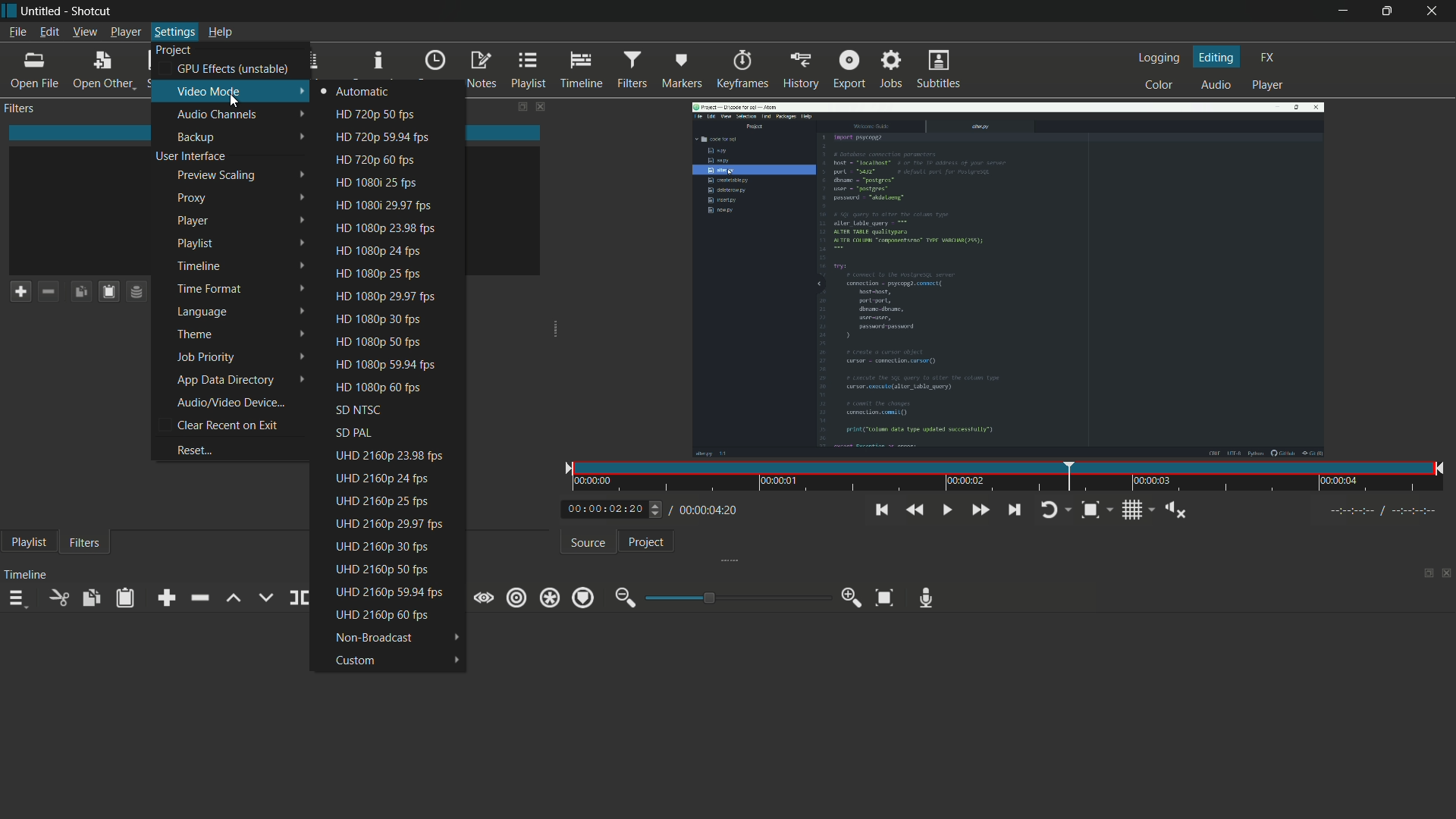 The width and height of the screenshot is (1456, 819). I want to click on hd 1080p 60 fps, so click(388, 387).